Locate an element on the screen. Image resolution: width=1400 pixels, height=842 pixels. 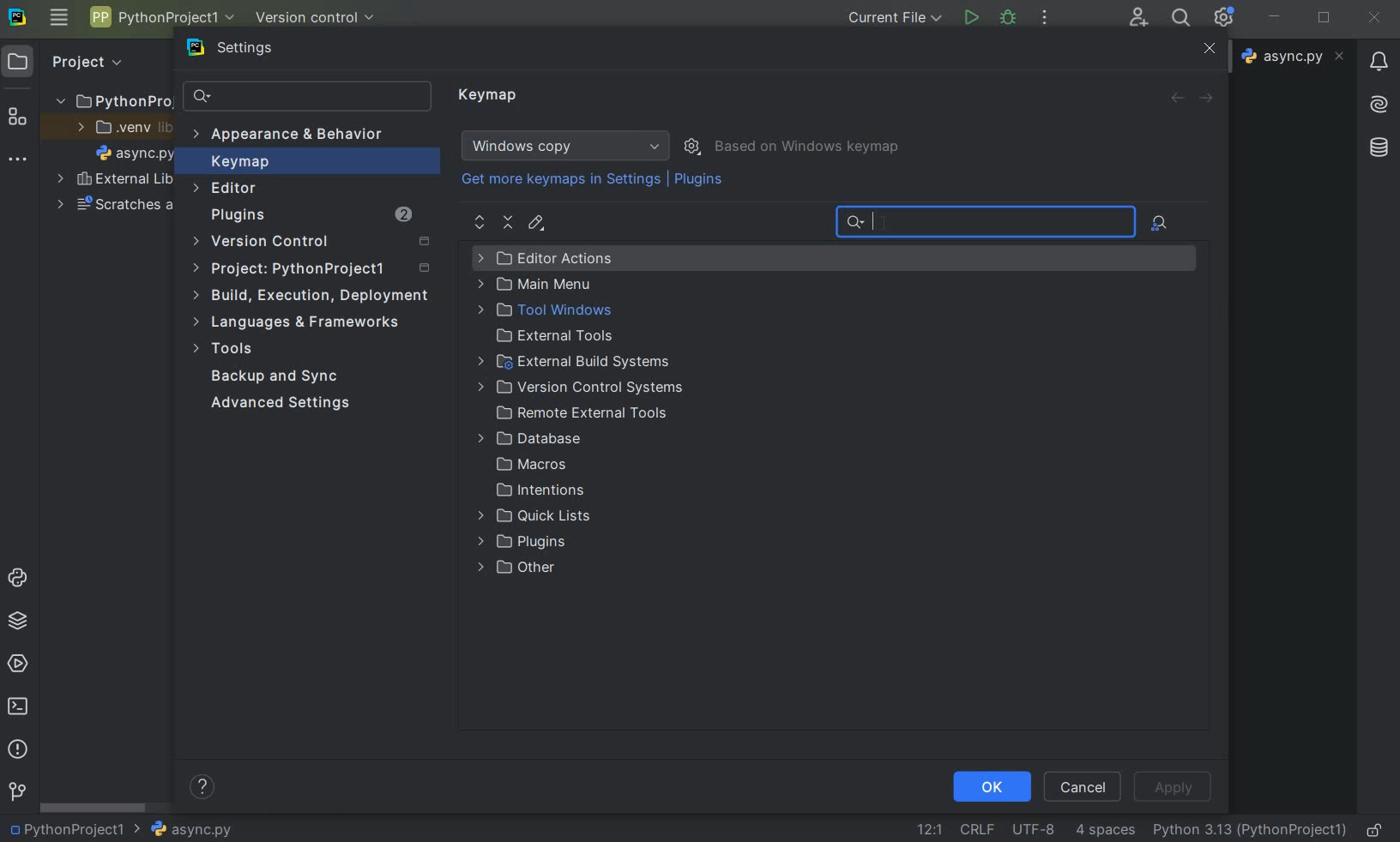
run is located at coordinates (970, 18).